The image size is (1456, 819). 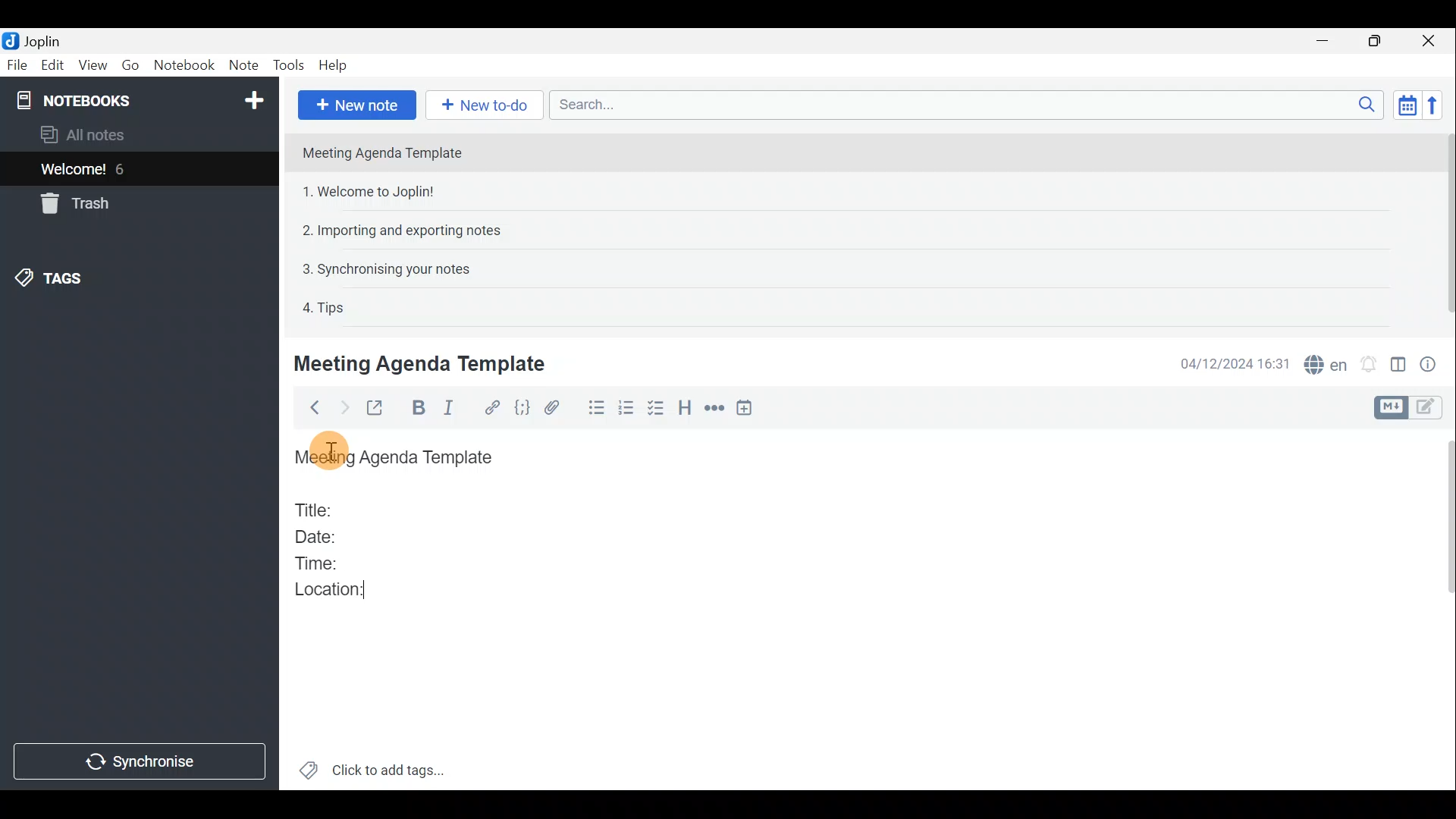 I want to click on Click to add tags, so click(x=393, y=767).